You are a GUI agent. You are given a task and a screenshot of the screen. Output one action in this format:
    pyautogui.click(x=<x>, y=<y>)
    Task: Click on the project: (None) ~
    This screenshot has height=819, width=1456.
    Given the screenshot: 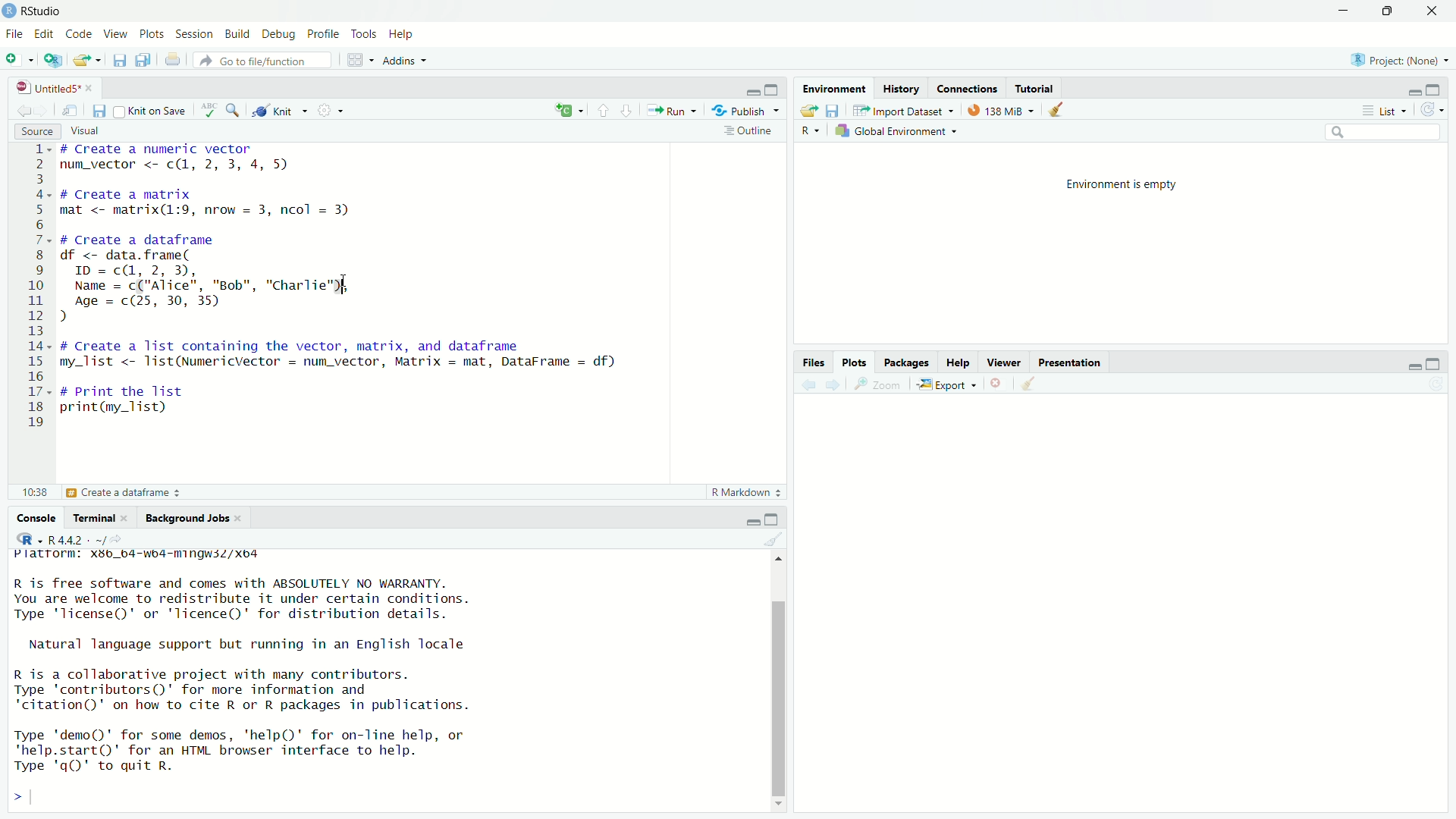 What is the action you would take?
    pyautogui.click(x=1398, y=60)
    